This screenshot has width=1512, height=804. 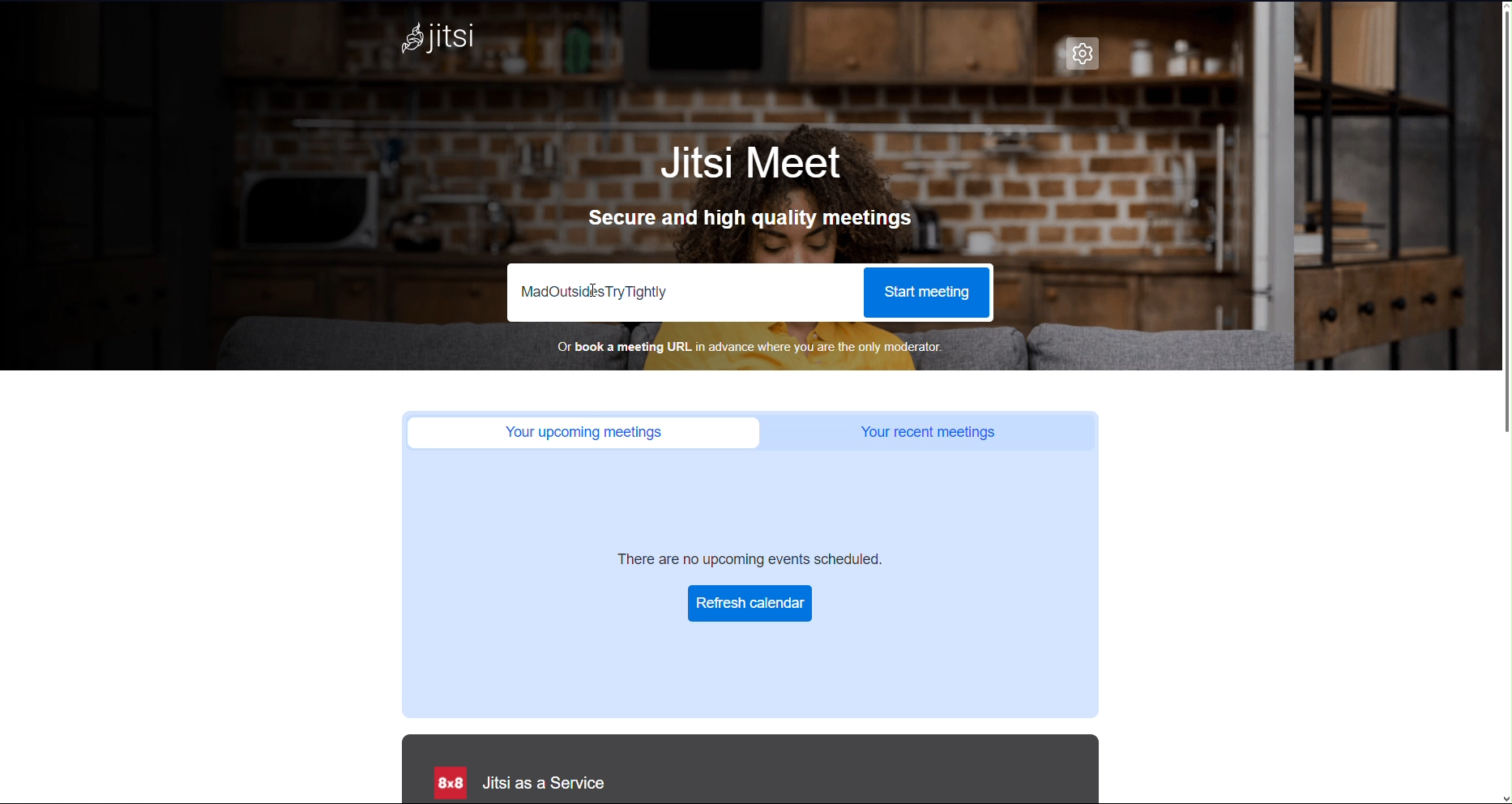 I want to click on Start Meeting, so click(x=929, y=294).